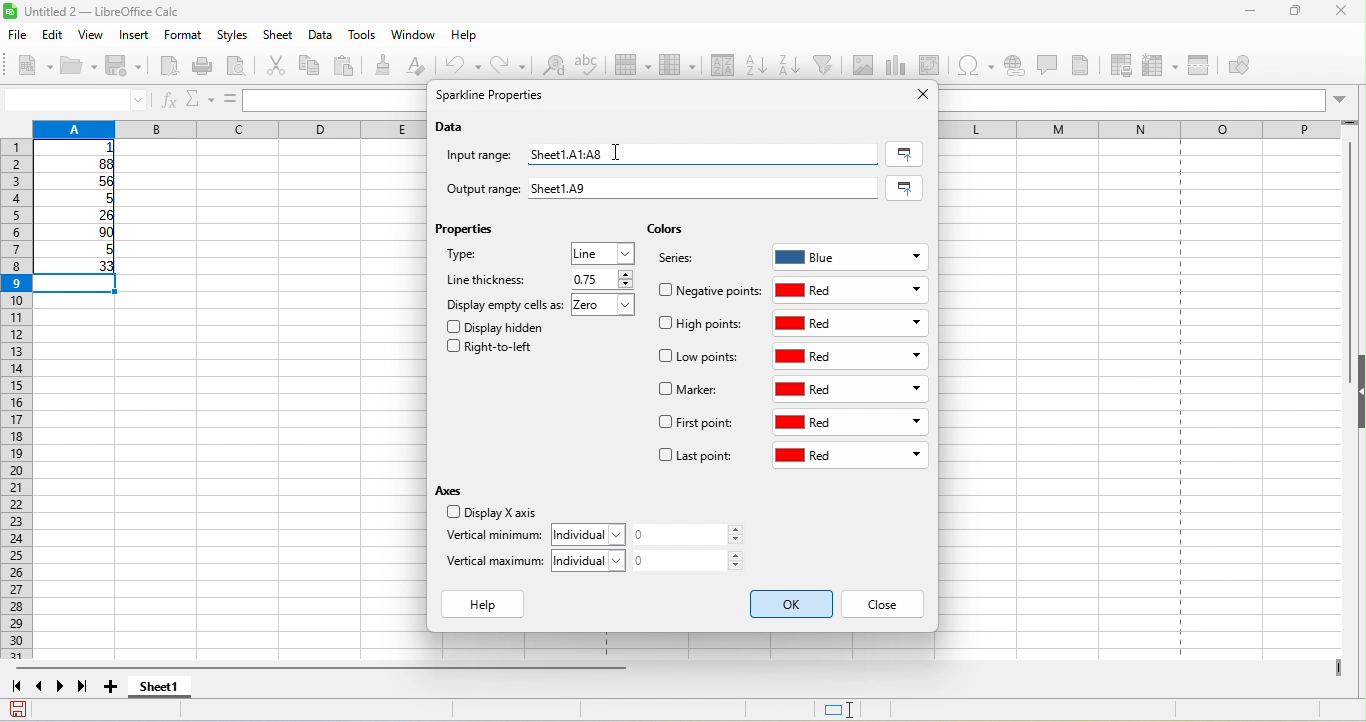 Image resolution: width=1366 pixels, height=722 pixels. I want to click on export directly as pdf, so click(172, 68).